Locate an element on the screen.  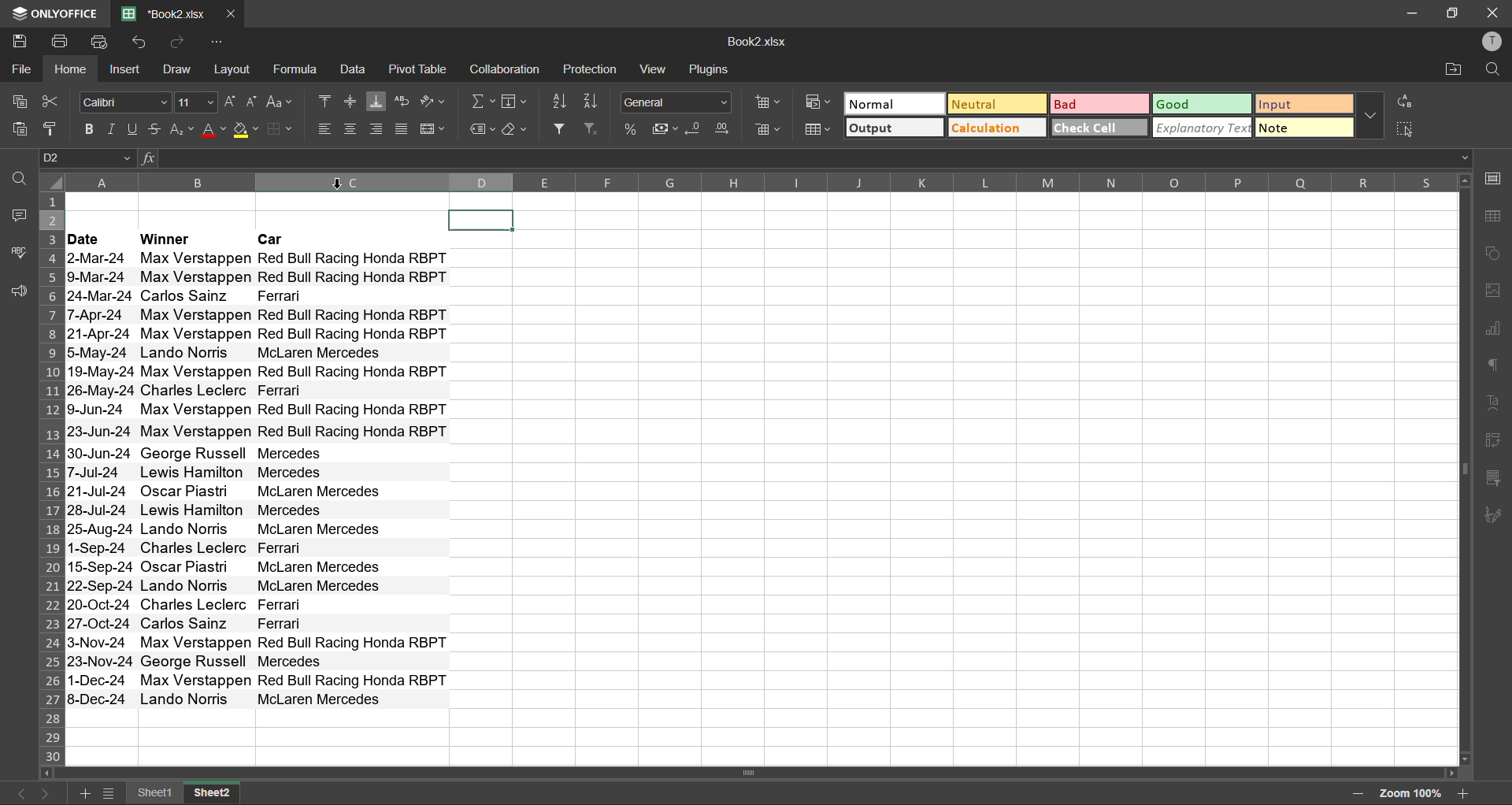
feedback is located at coordinates (17, 292).